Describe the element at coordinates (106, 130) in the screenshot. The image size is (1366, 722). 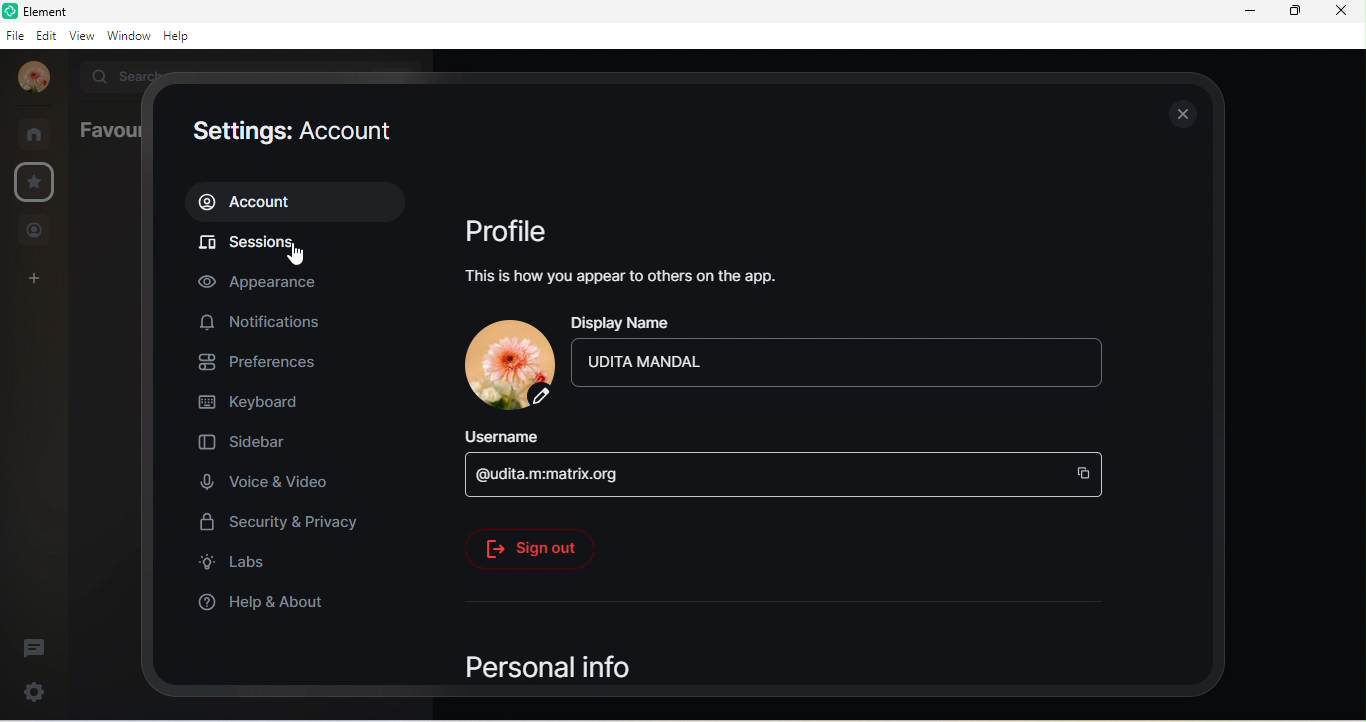
I see `favourites` at that location.